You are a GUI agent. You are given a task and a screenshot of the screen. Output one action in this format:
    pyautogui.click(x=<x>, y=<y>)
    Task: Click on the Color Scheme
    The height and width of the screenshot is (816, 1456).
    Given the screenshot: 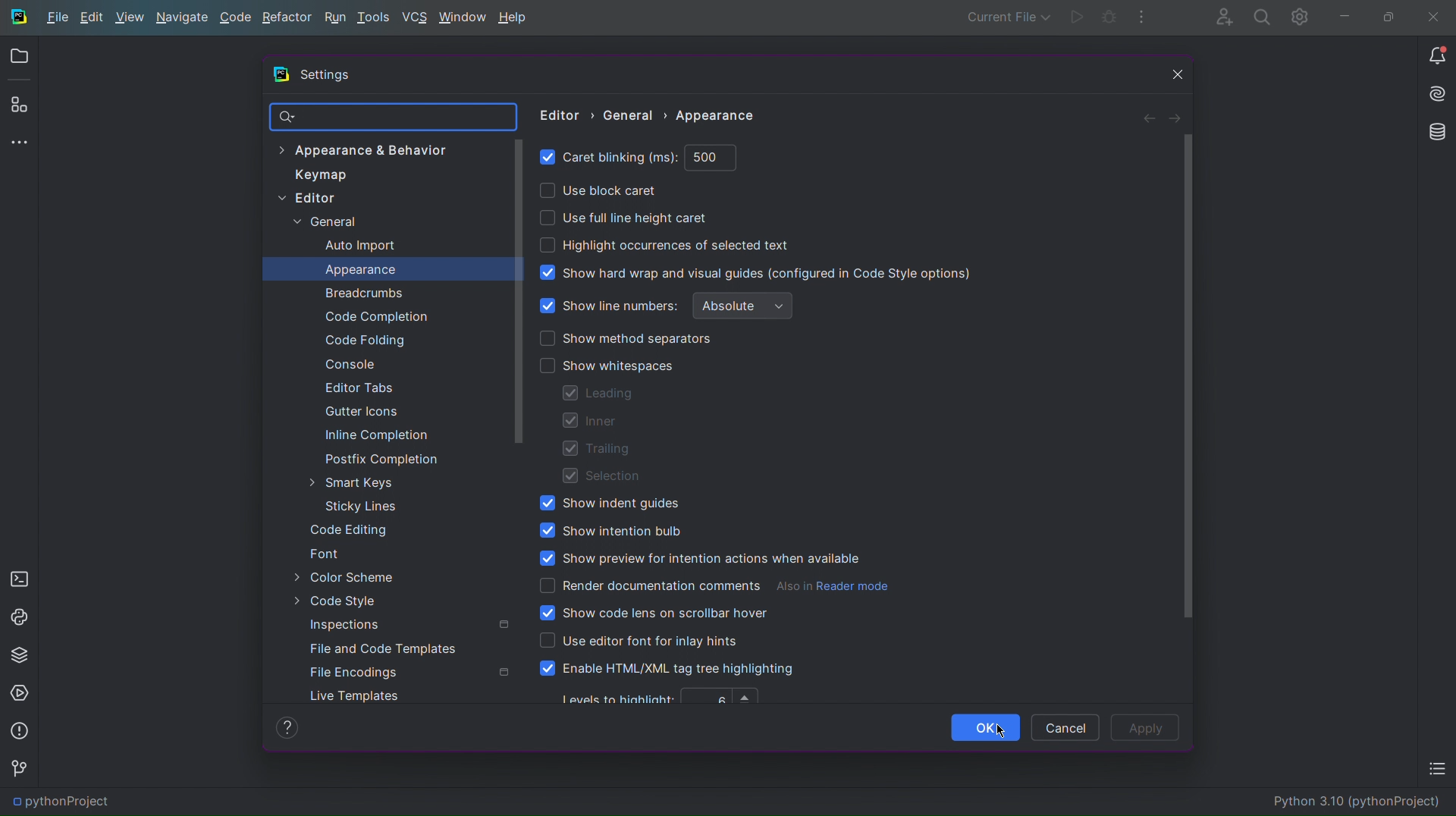 What is the action you would take?
    pyautogui.click(x=352, y=578)
    